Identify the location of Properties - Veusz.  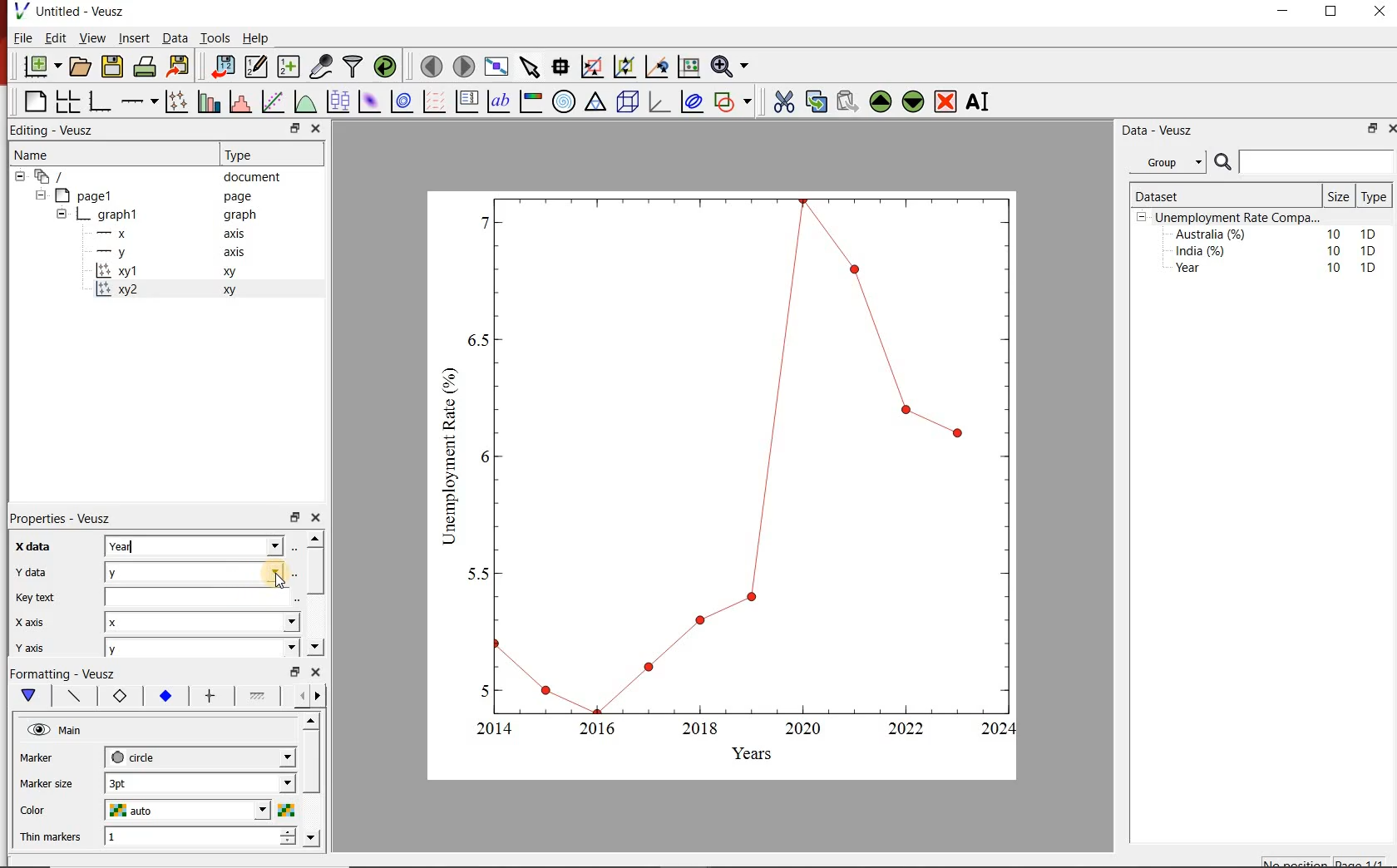
(63, 520).